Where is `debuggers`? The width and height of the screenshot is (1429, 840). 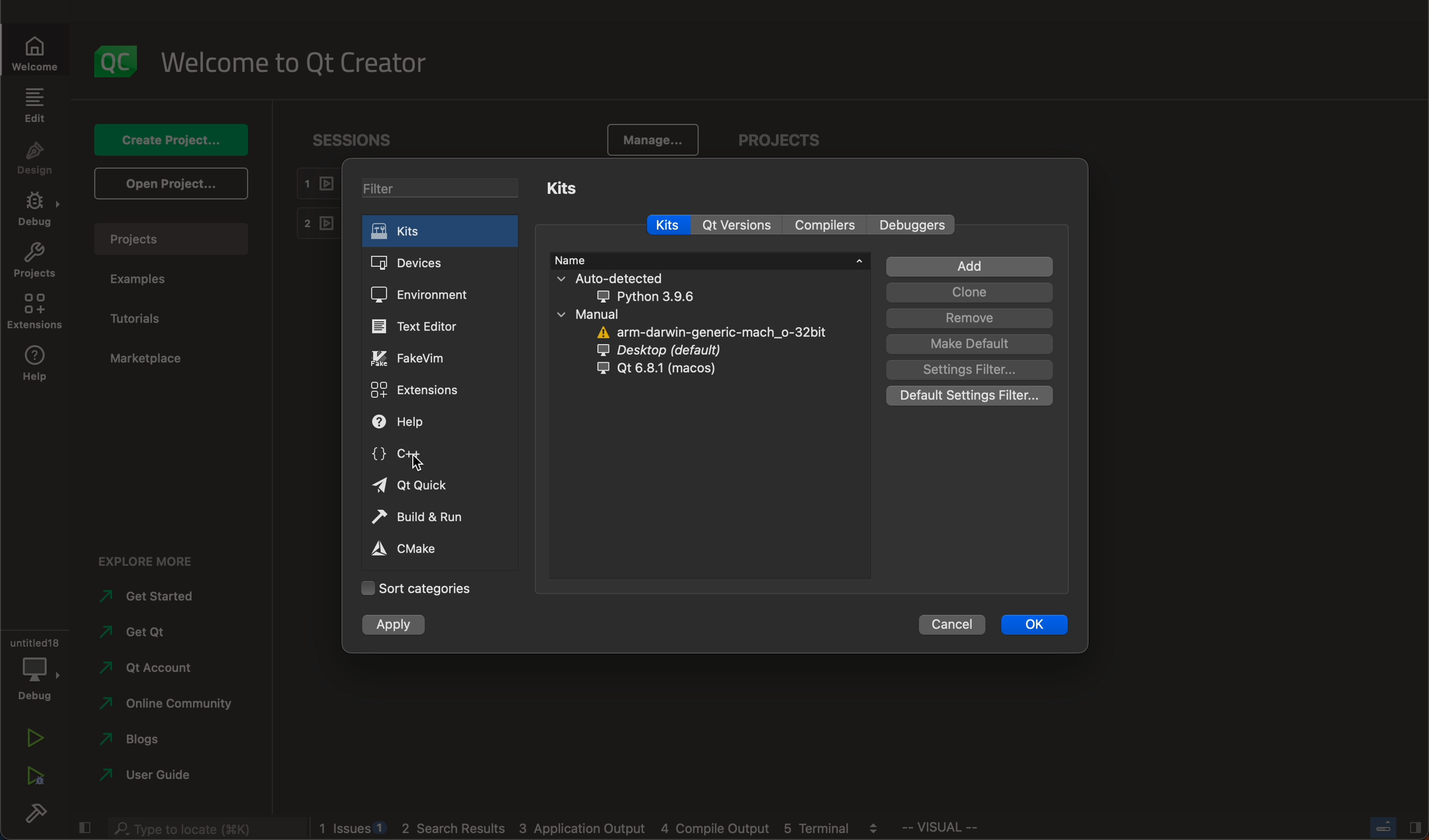 debuggers is located at coordinates (916, 224).